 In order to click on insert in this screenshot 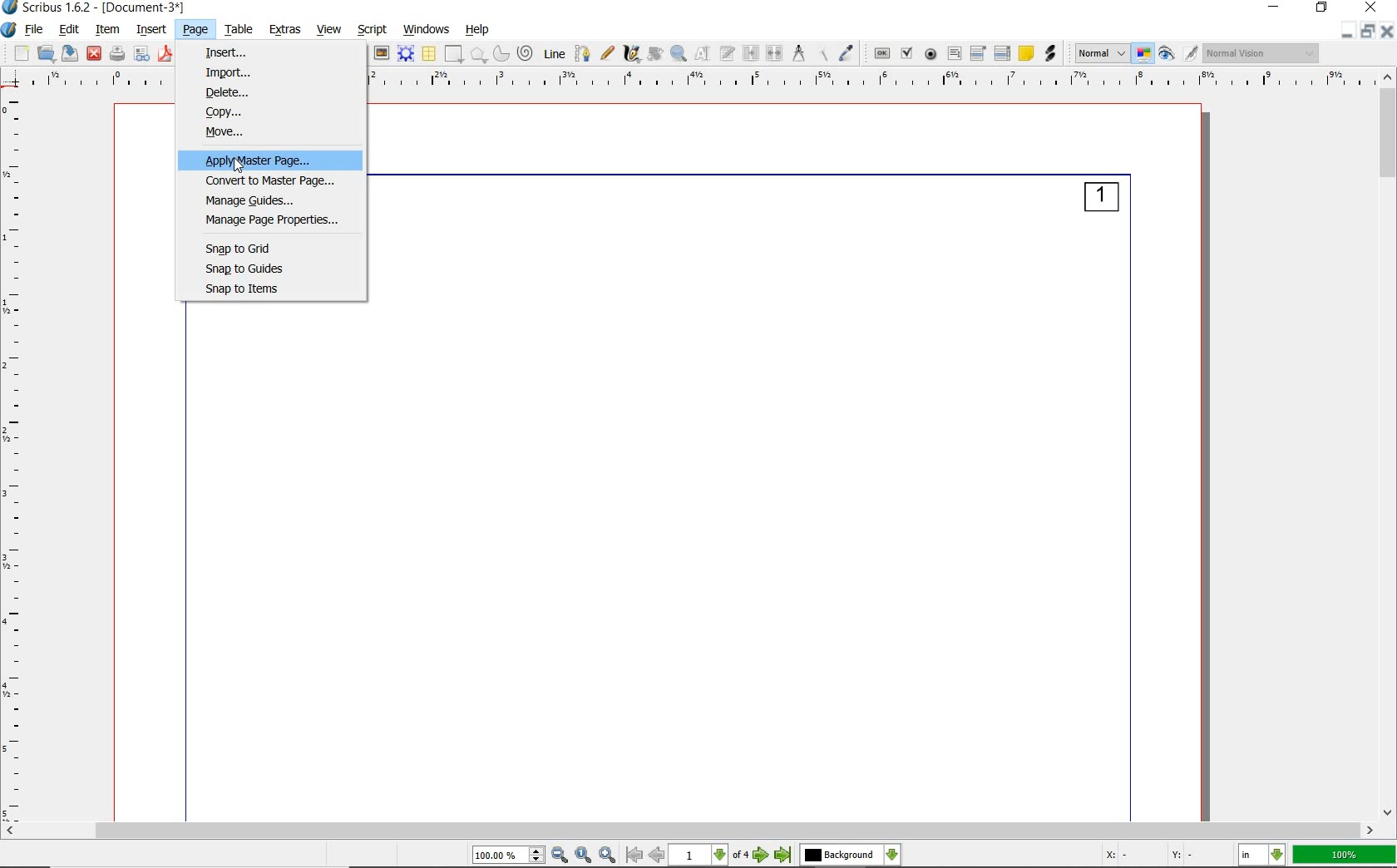, I will do `click(230, 52)`.